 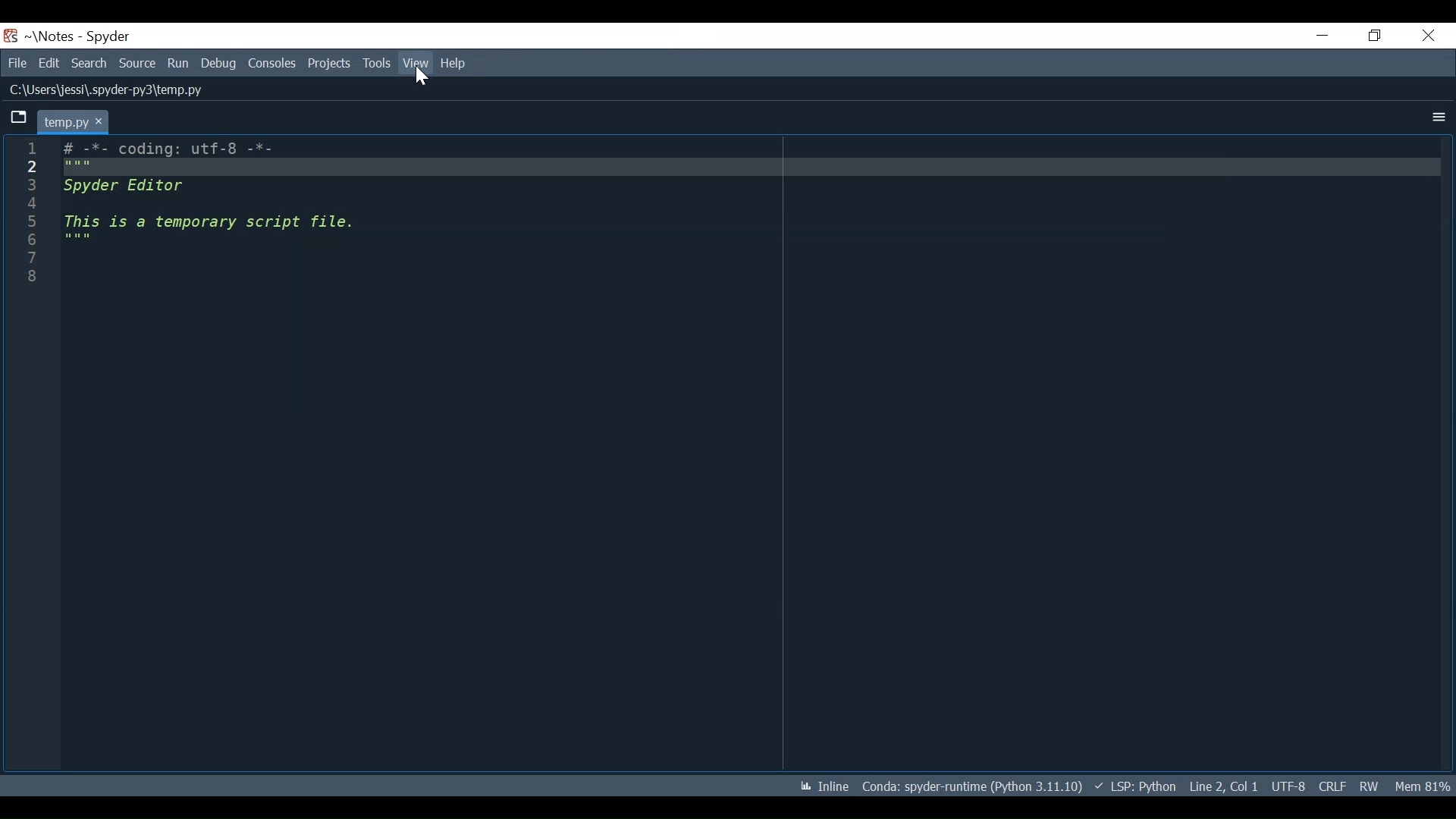 I want to click on Edit, so click(x=49, y=63).